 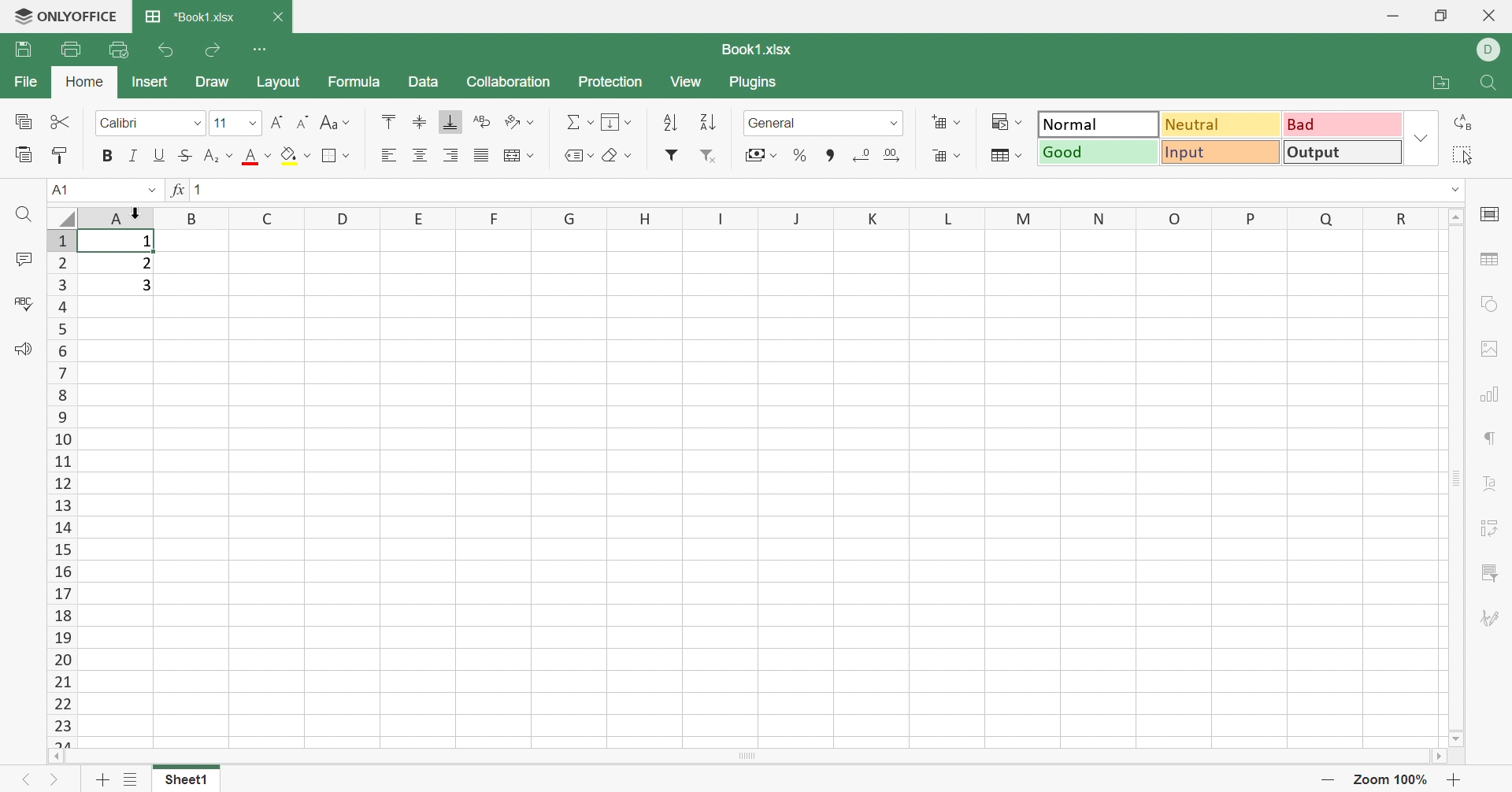 What do you see at coordinates (176, 189) in the screenshot?
I see `fx` at bounding box center [176, 189].